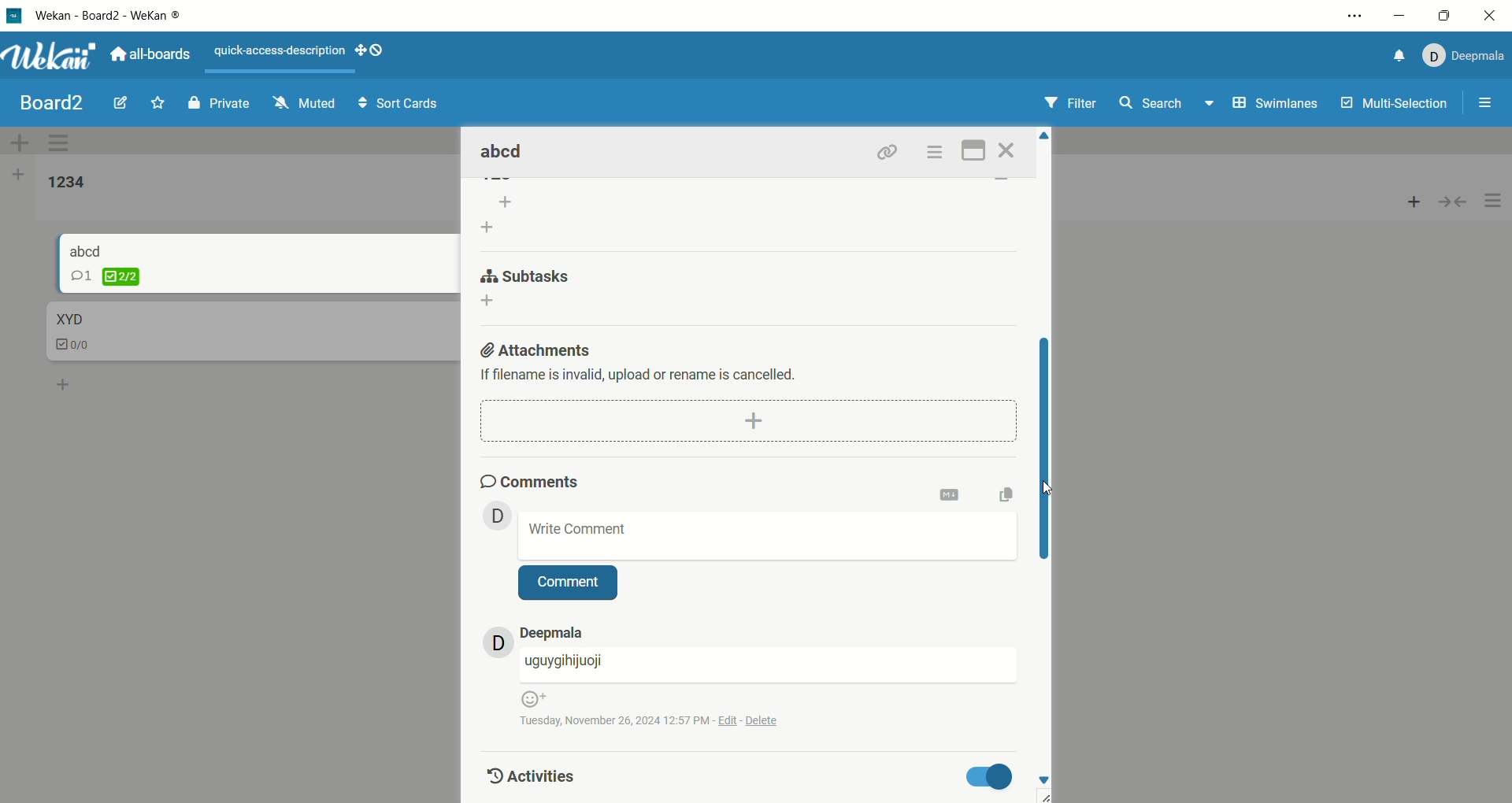  What do you see at coordinates (1357, 16) in the screenshot?
I see `options` at bounding box center [1357, 16].